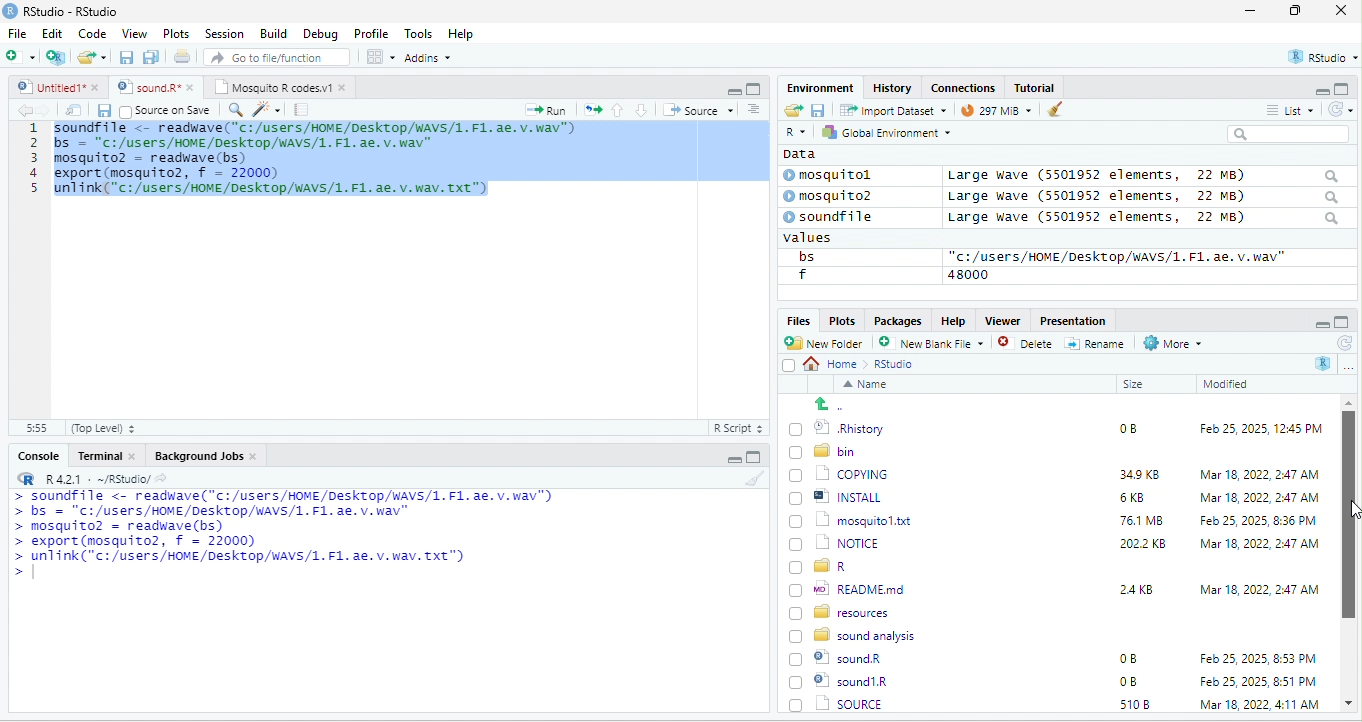  What do you see at coordinates (1044, 111) in the screenshot?
I see `brush` at bounding box center [1044, 111].